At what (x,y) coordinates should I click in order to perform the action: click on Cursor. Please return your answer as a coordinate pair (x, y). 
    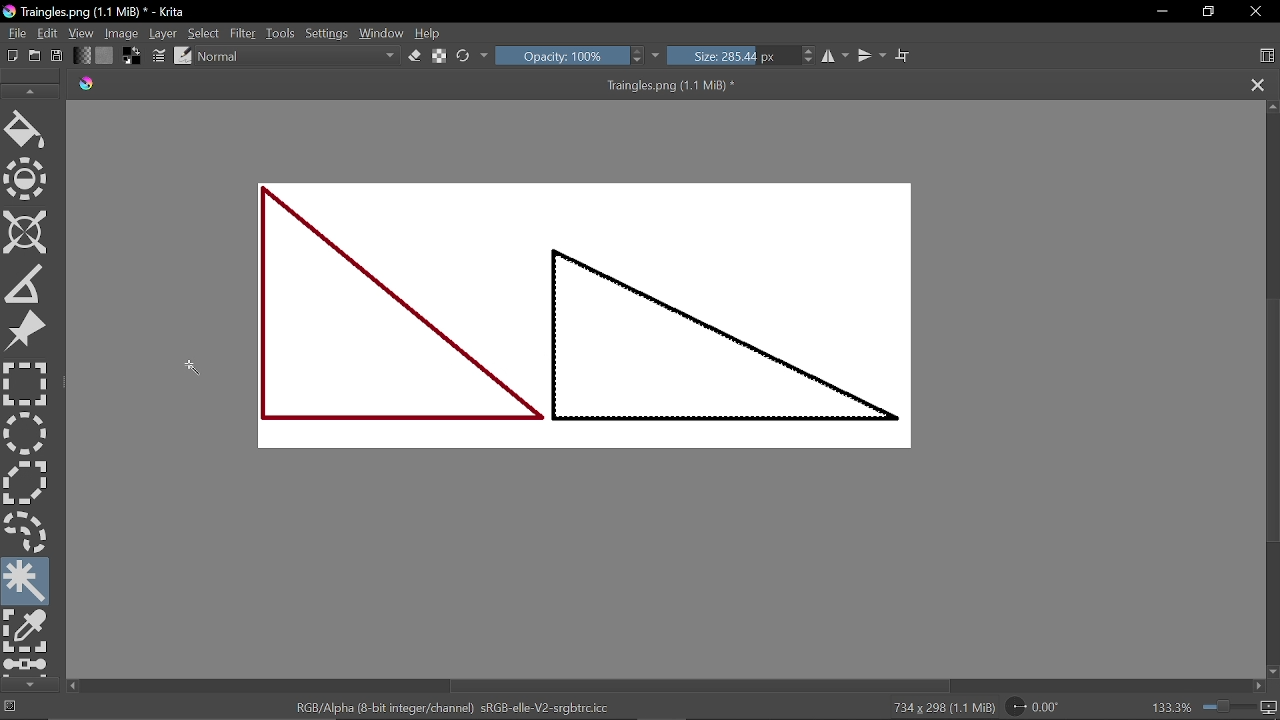
    Looking at the image, I should click on (197, 368).